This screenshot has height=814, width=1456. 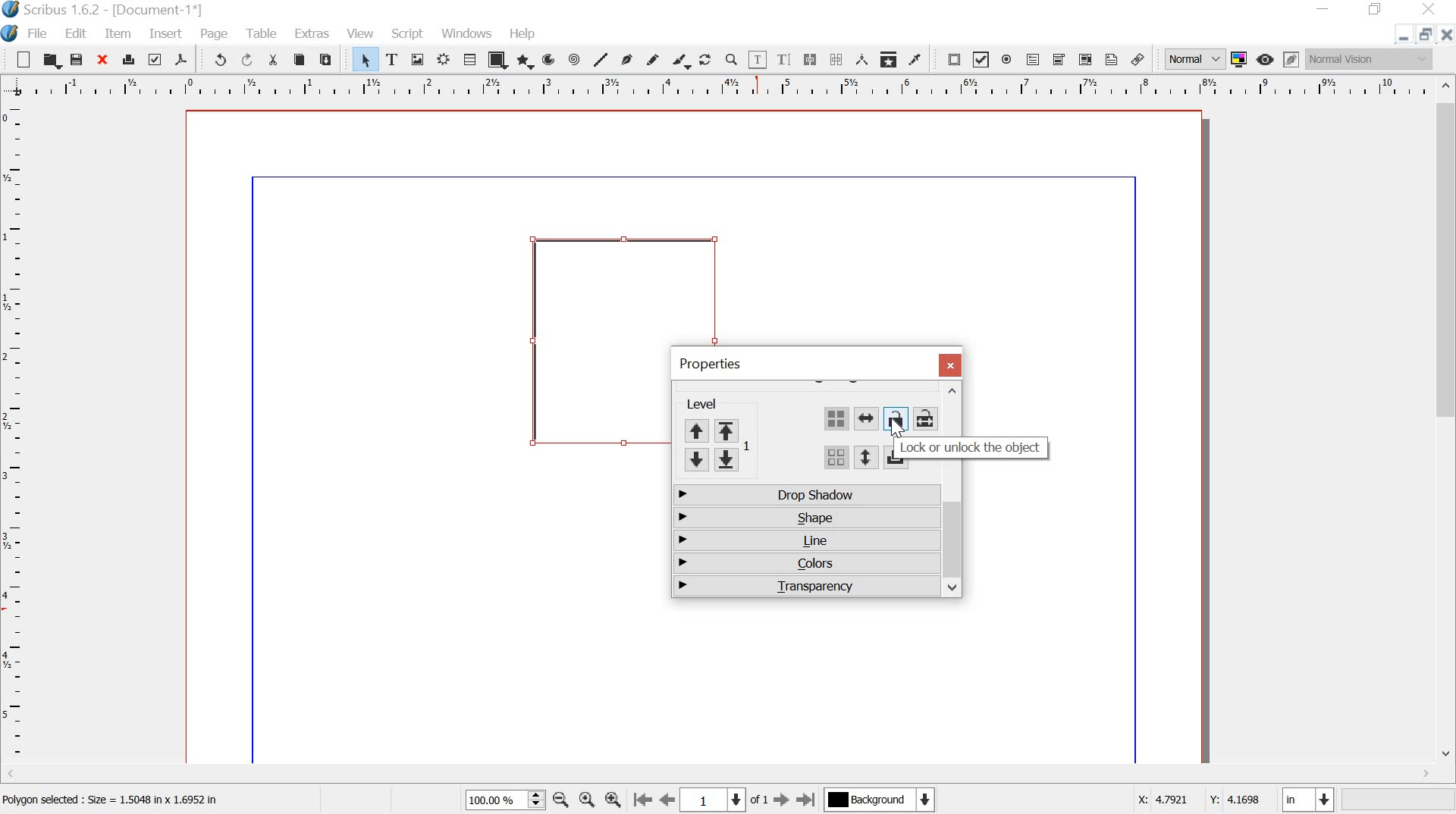 What do you see at coordinates (560, 799) in the screenshot?
I see `zoom out` at bounding box center [560, 799].